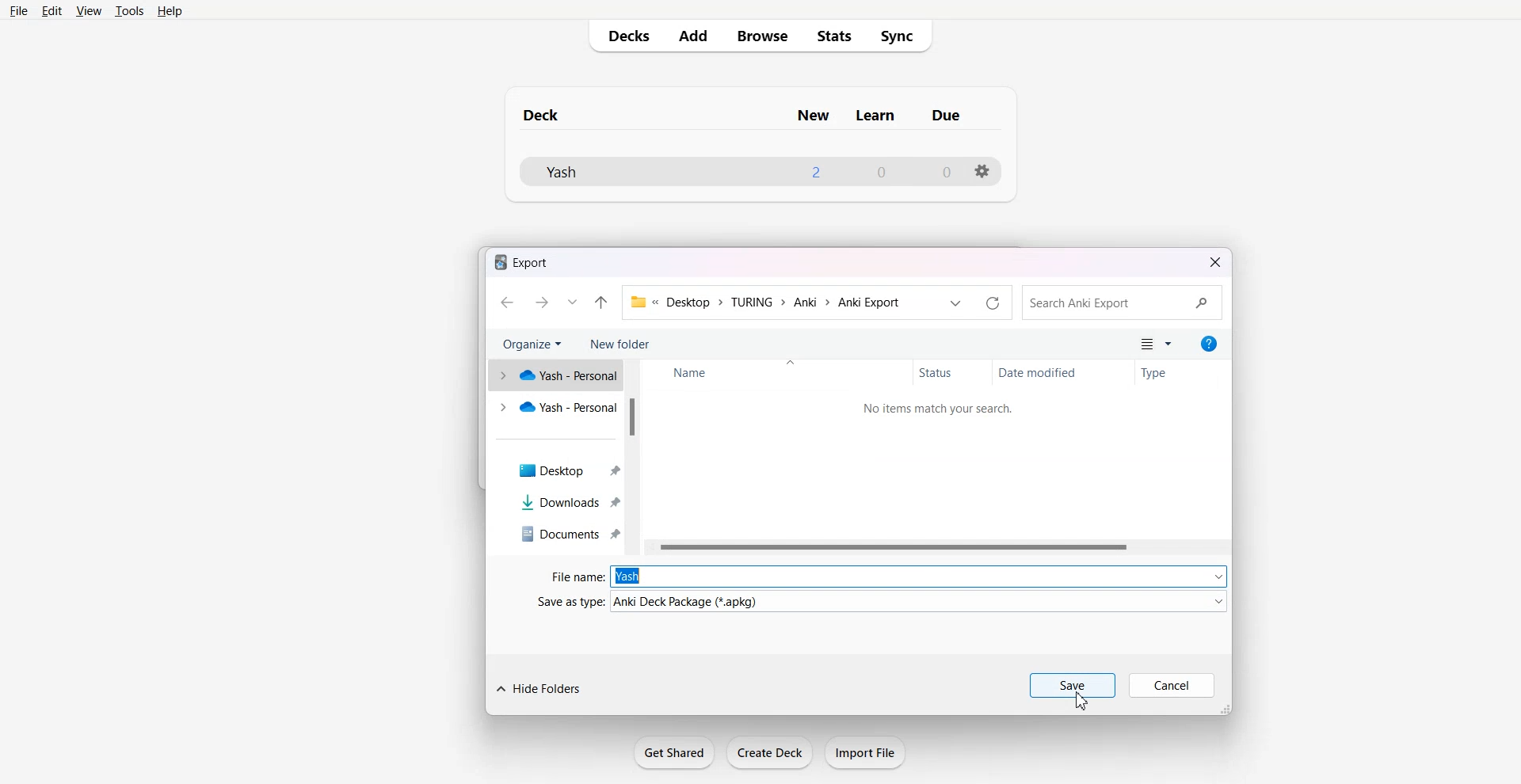 This screenshot has height=784, width=1521. I want to click on 0, so click(945, 172).